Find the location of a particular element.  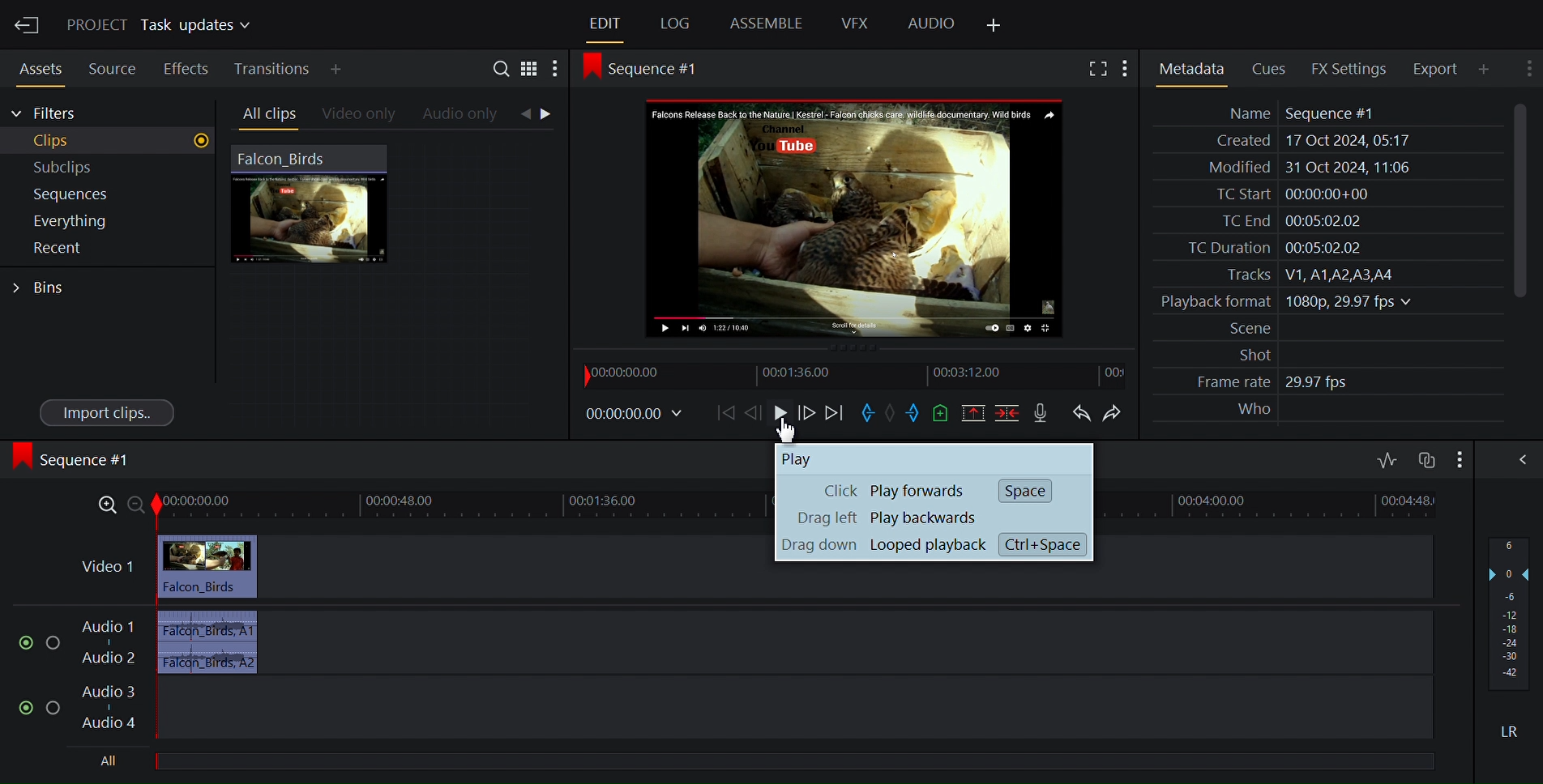

Log is located at coordinates (673, 24).